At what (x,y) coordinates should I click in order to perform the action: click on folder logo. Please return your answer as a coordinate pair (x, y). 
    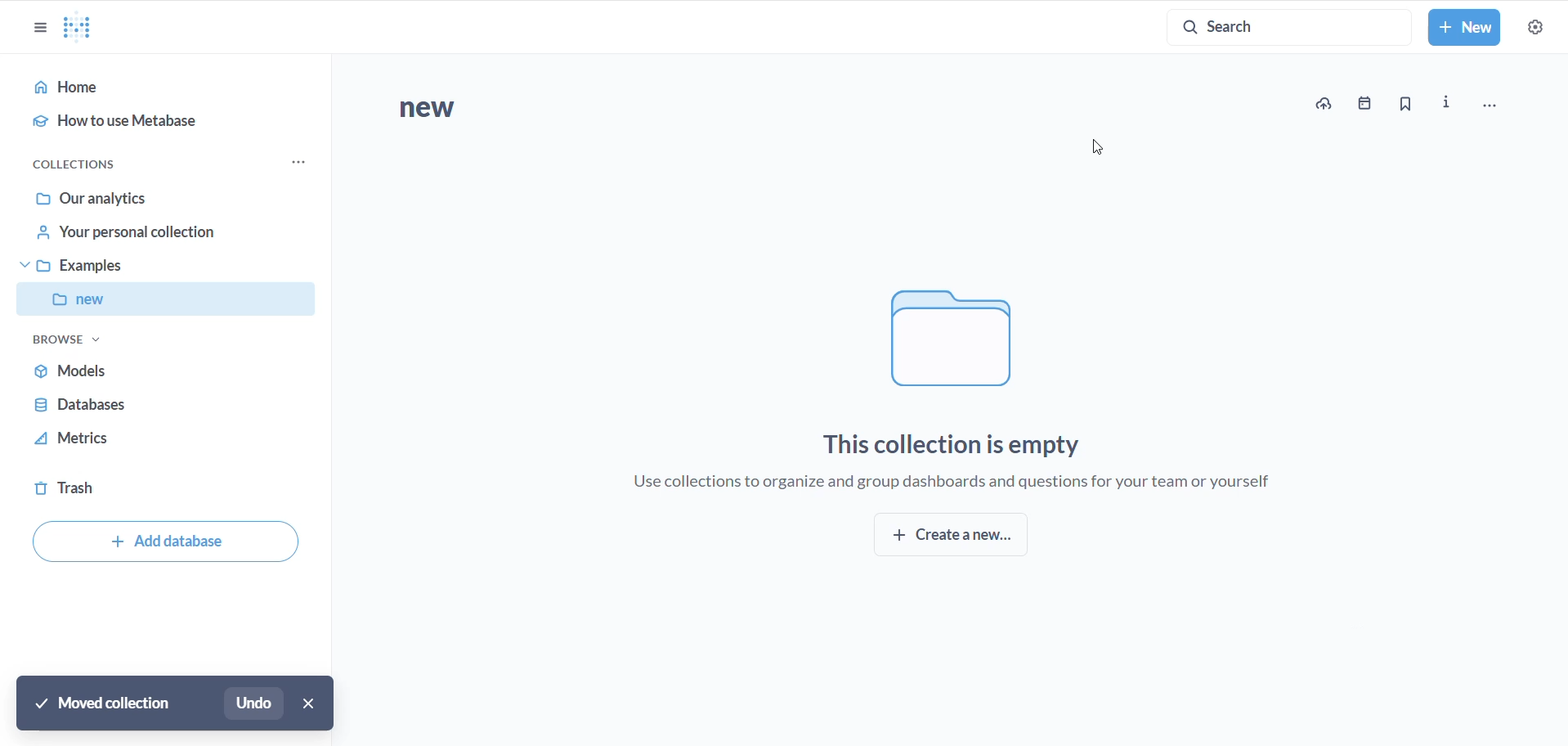
    Looking at the image, I should click on (953, 334).